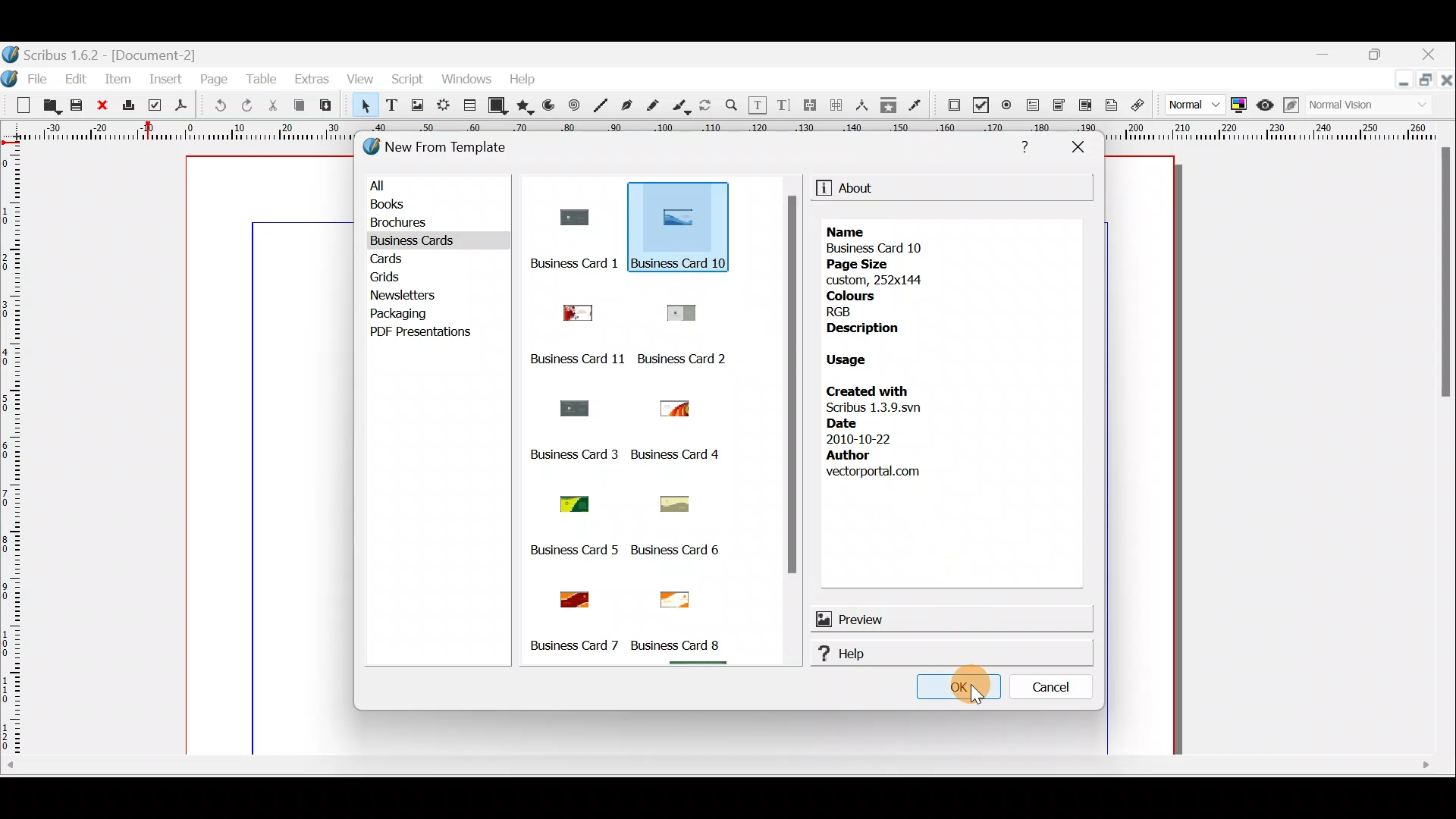 Image resolution: width=1456 pixels, height=819 pixels. What do you see at coordinates (498, 107) in the screenshot?
I see `Shape` at bounding box center [498, 107].